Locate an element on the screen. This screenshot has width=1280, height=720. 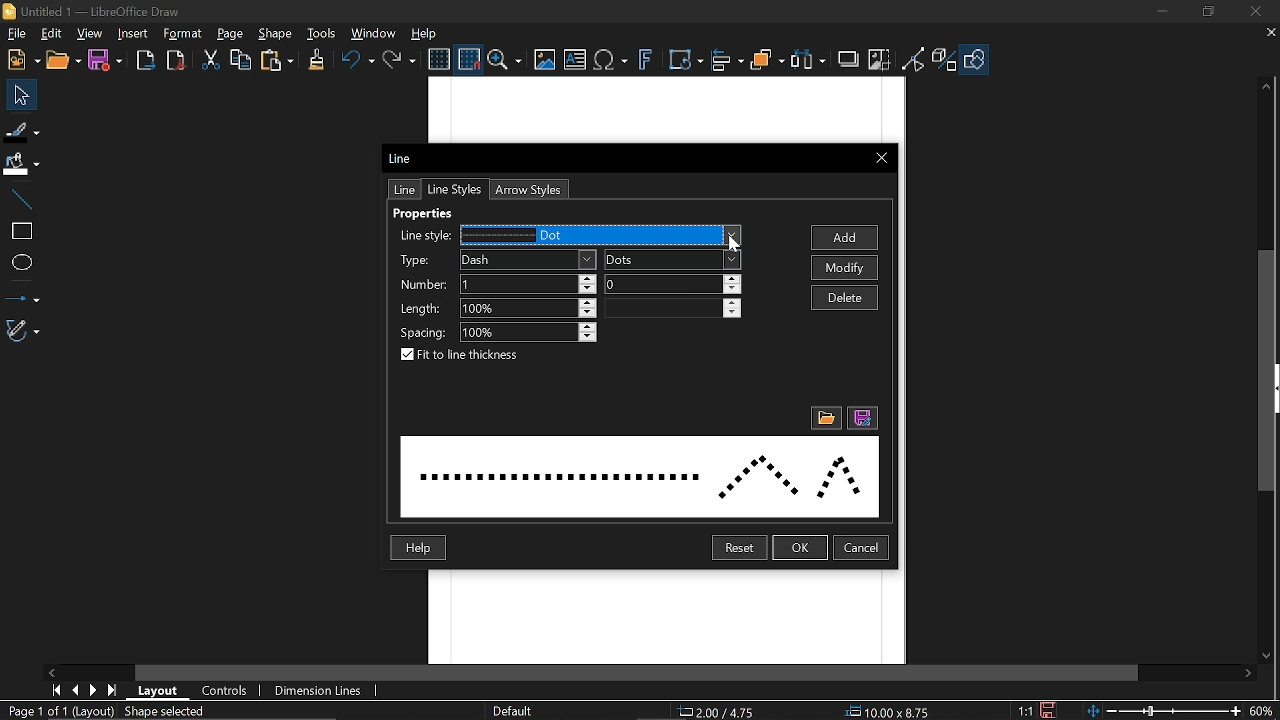
Length is located at coordinates (529, 309).